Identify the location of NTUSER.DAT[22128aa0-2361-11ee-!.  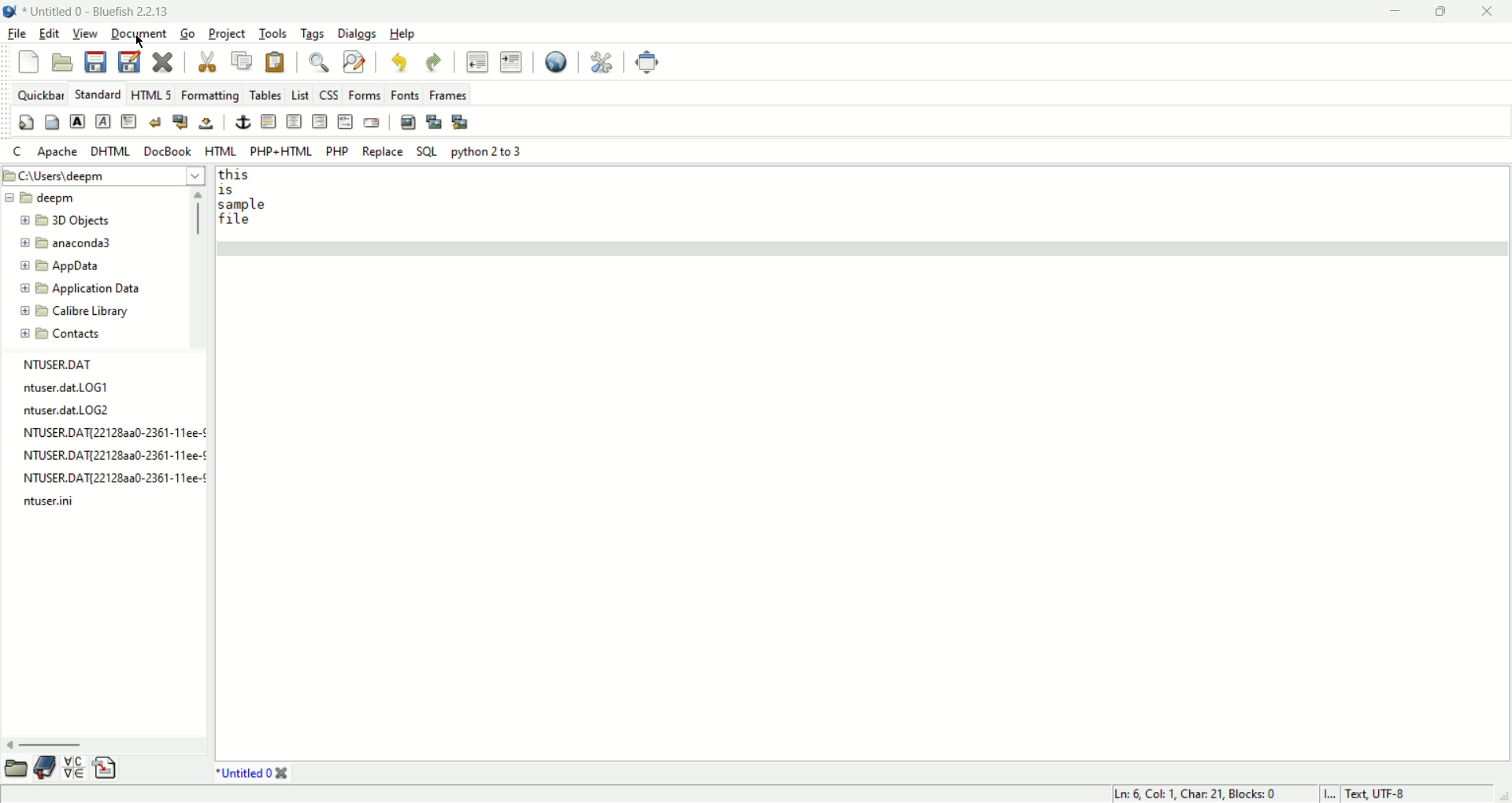
(113, 431).